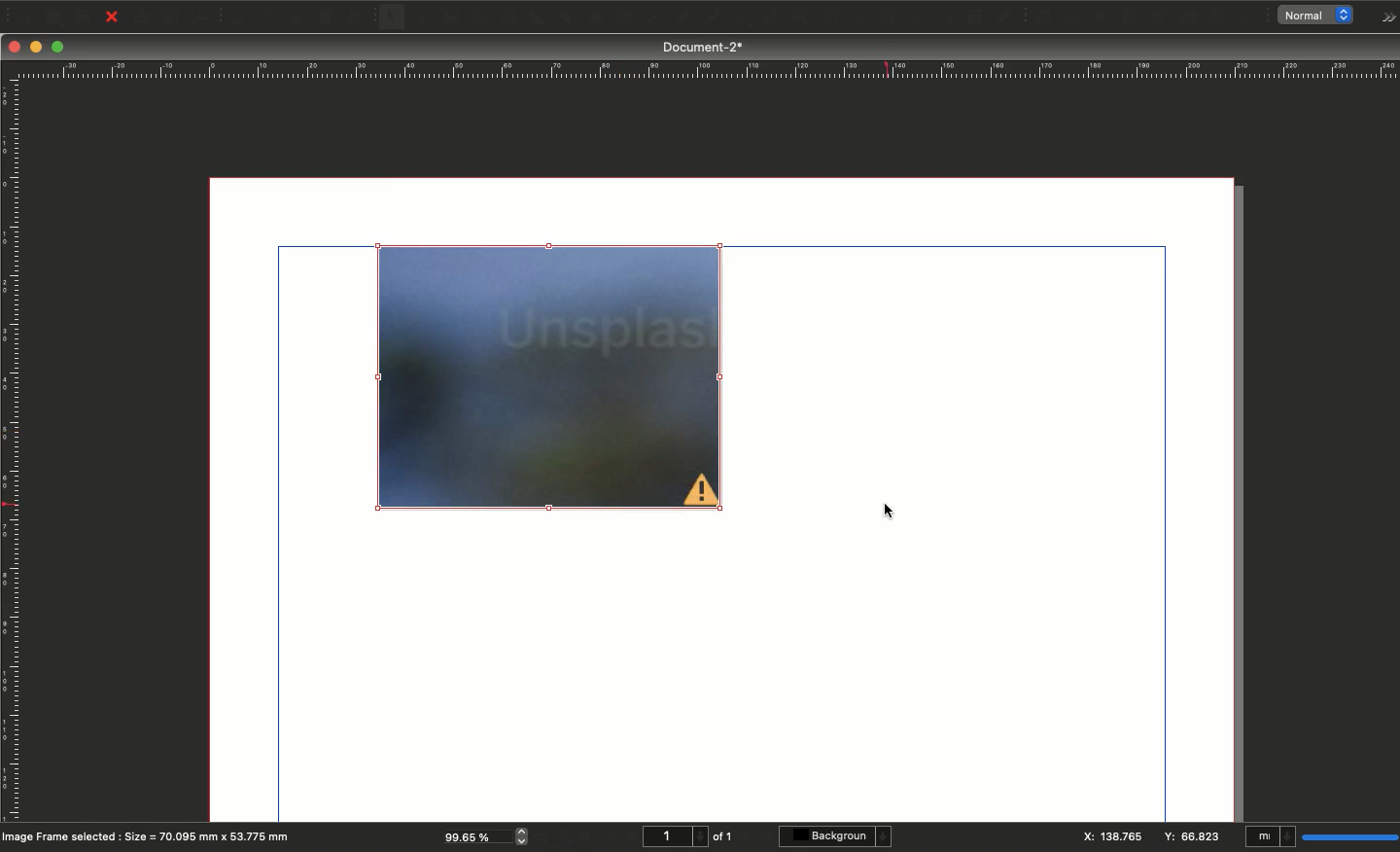 This screenshot has height=852, width=1400. Describe the element at coordinates (1189, 18) in the screenshot. I see `PDF list box` at that location.